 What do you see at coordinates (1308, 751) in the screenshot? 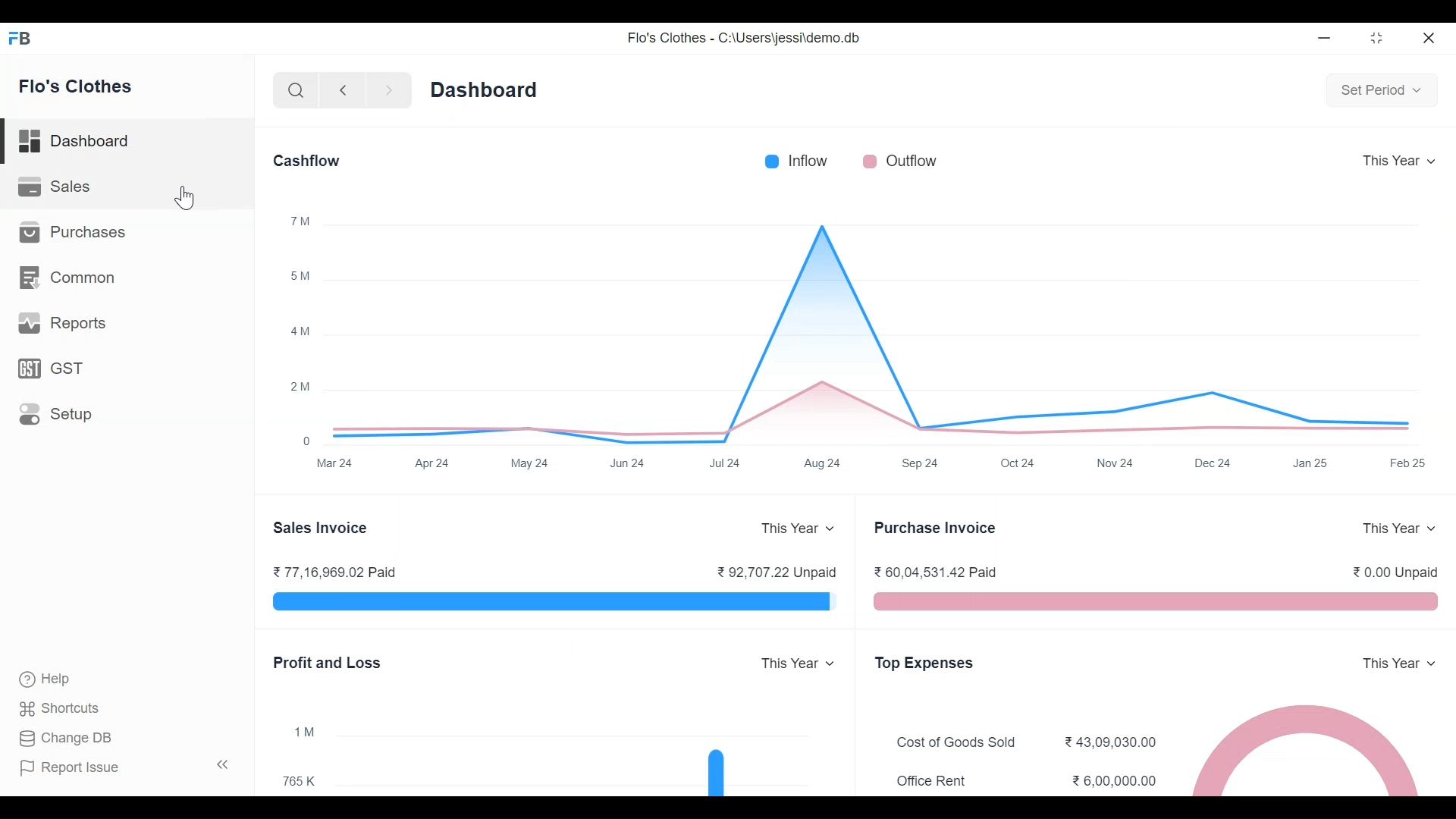
I see `Visual Representation of Top Expenses of Flo's Clothes yearly` at bounding box center [1308, 751].